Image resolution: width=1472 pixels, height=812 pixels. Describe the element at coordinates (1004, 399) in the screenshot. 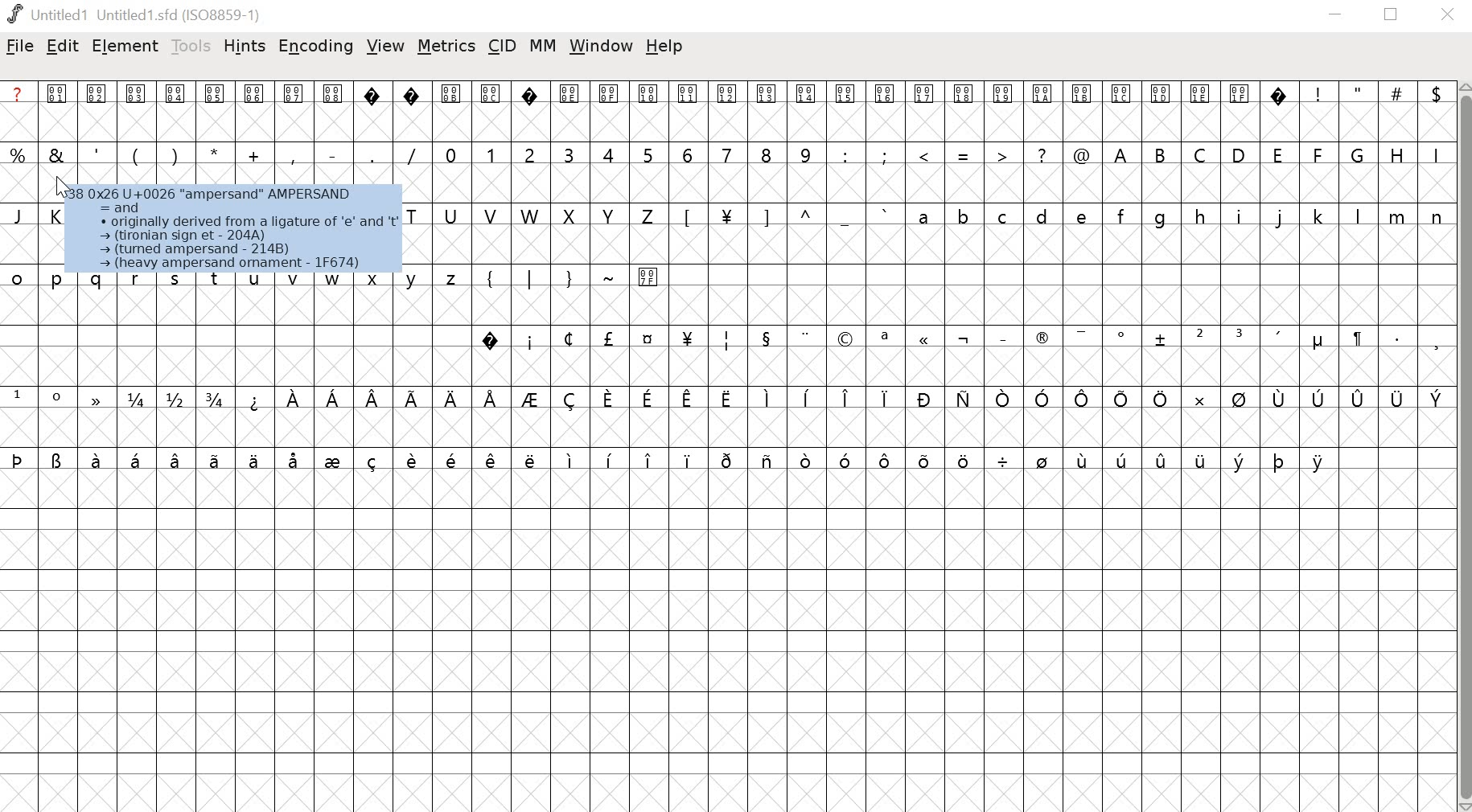

I see `symbol` at that location.